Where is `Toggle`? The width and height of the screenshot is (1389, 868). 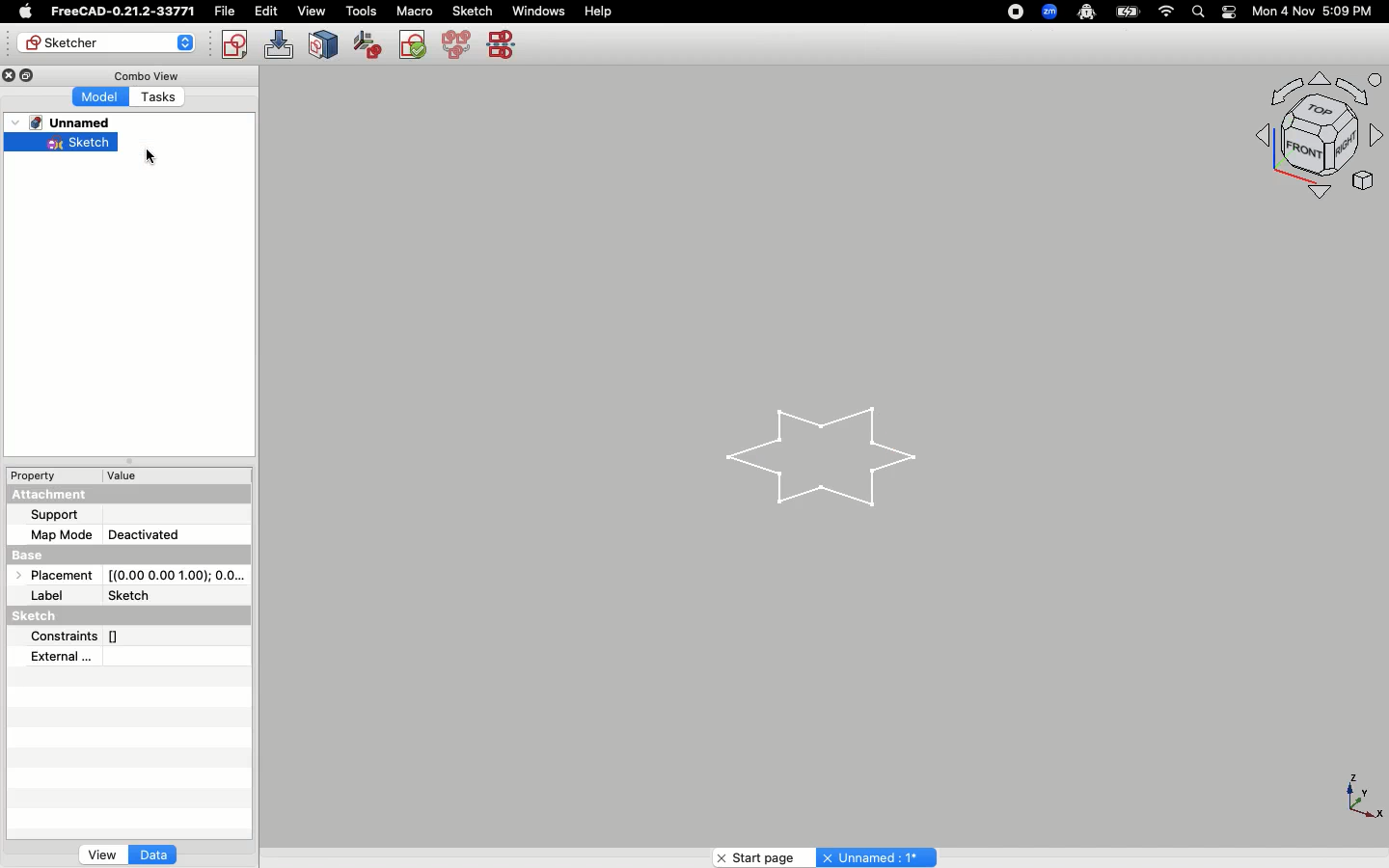
Toggle is located at coordinates (1229, 12).